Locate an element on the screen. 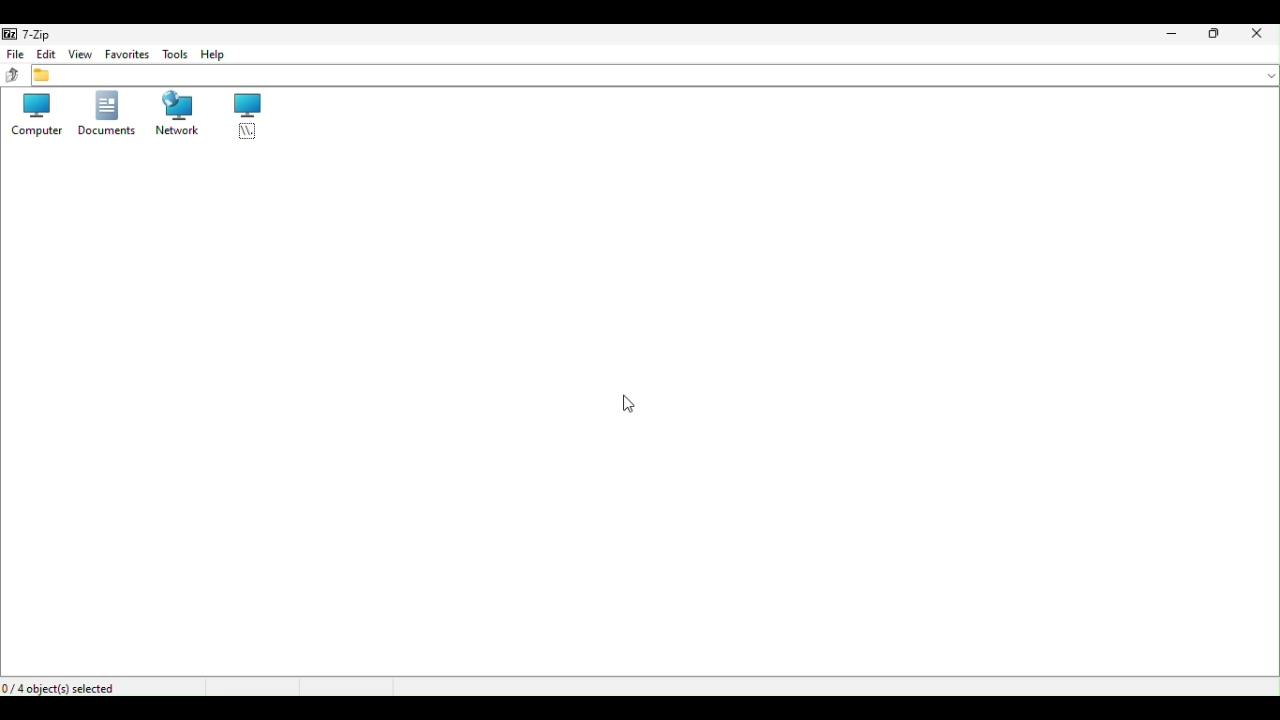 The height and width of the screenshot is (720, 1280). Restore is located at coordinates (1220, 34).